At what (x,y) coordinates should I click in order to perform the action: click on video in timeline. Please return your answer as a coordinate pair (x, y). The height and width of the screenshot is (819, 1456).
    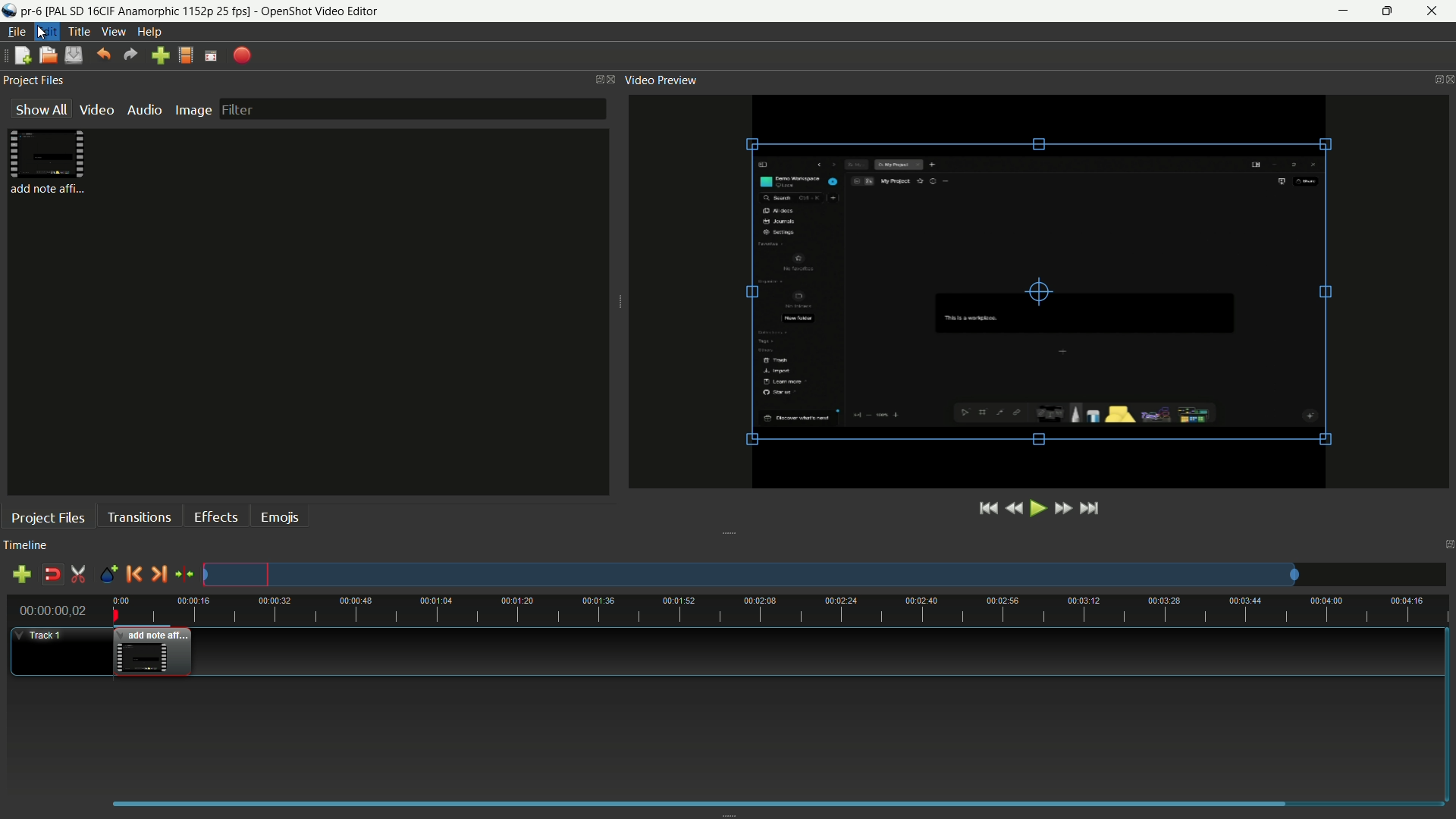
    Looking at the image, I should click on (152, 652).